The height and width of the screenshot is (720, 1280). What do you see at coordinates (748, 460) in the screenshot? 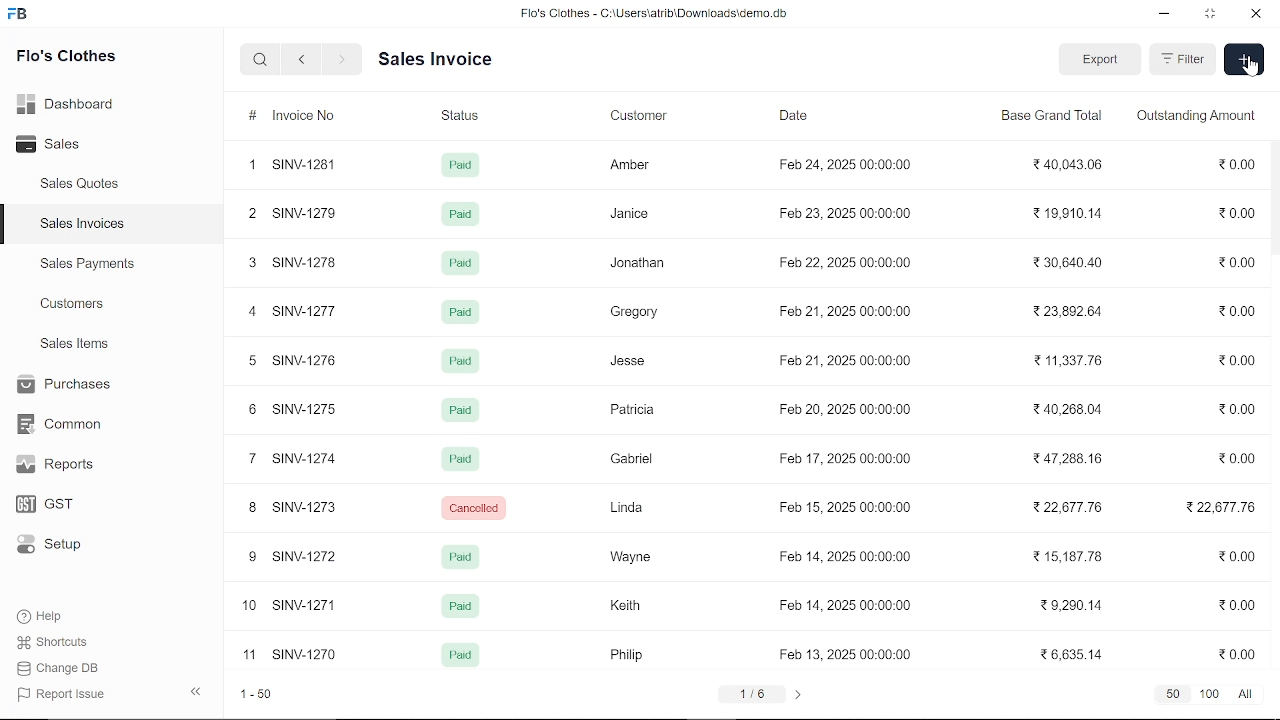
I see `7 SINV-1274 Pa Gabriel Feb 17, 2025 00:00:00 247,288.16 20.00` at bounding box center [748, 460].